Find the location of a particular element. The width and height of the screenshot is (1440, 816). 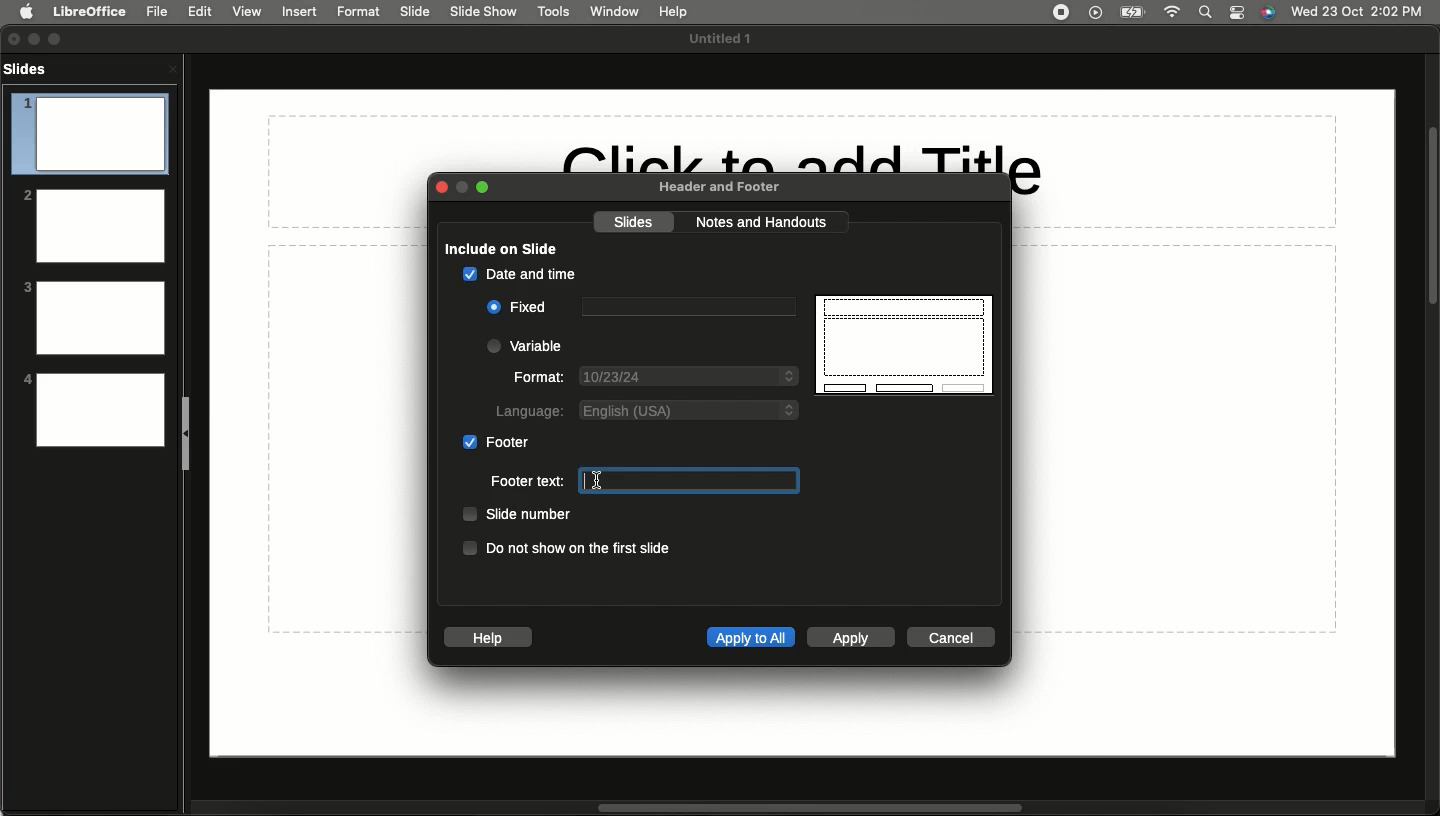

Footer text is located at coordinates (527, 481).